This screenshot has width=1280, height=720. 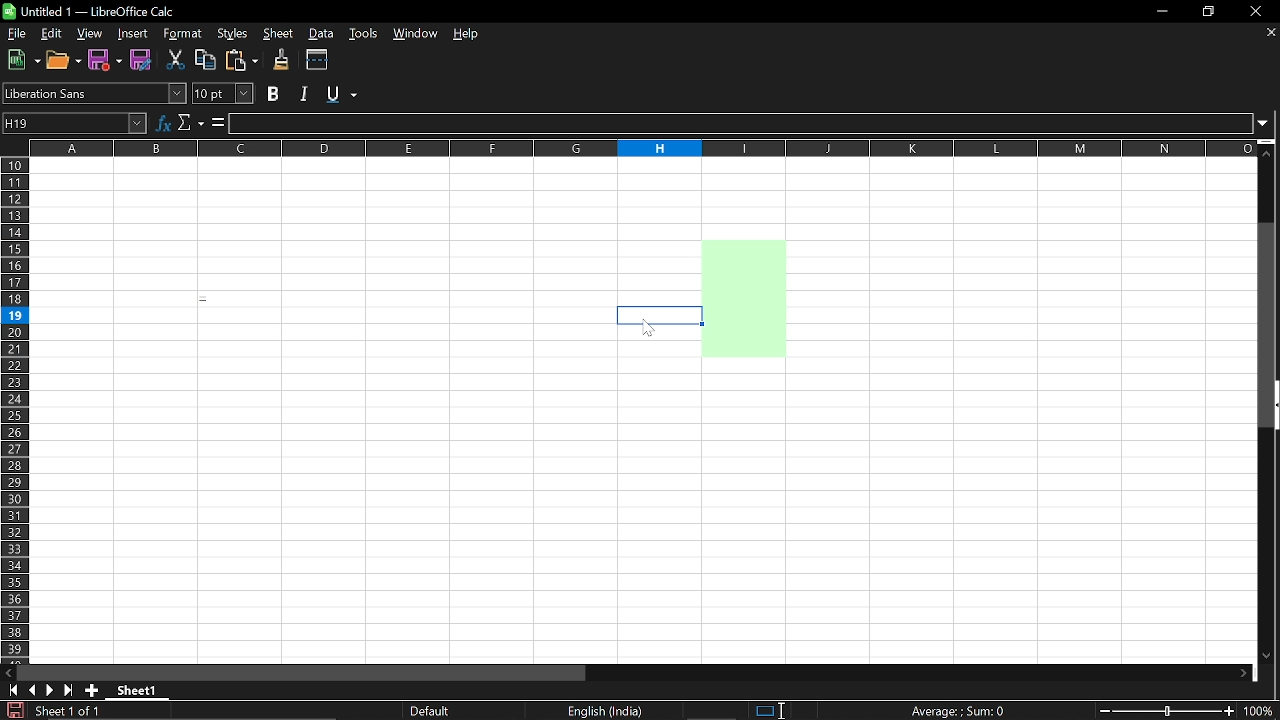 I want to click on Close sheets, so click(x=1269, y=34).